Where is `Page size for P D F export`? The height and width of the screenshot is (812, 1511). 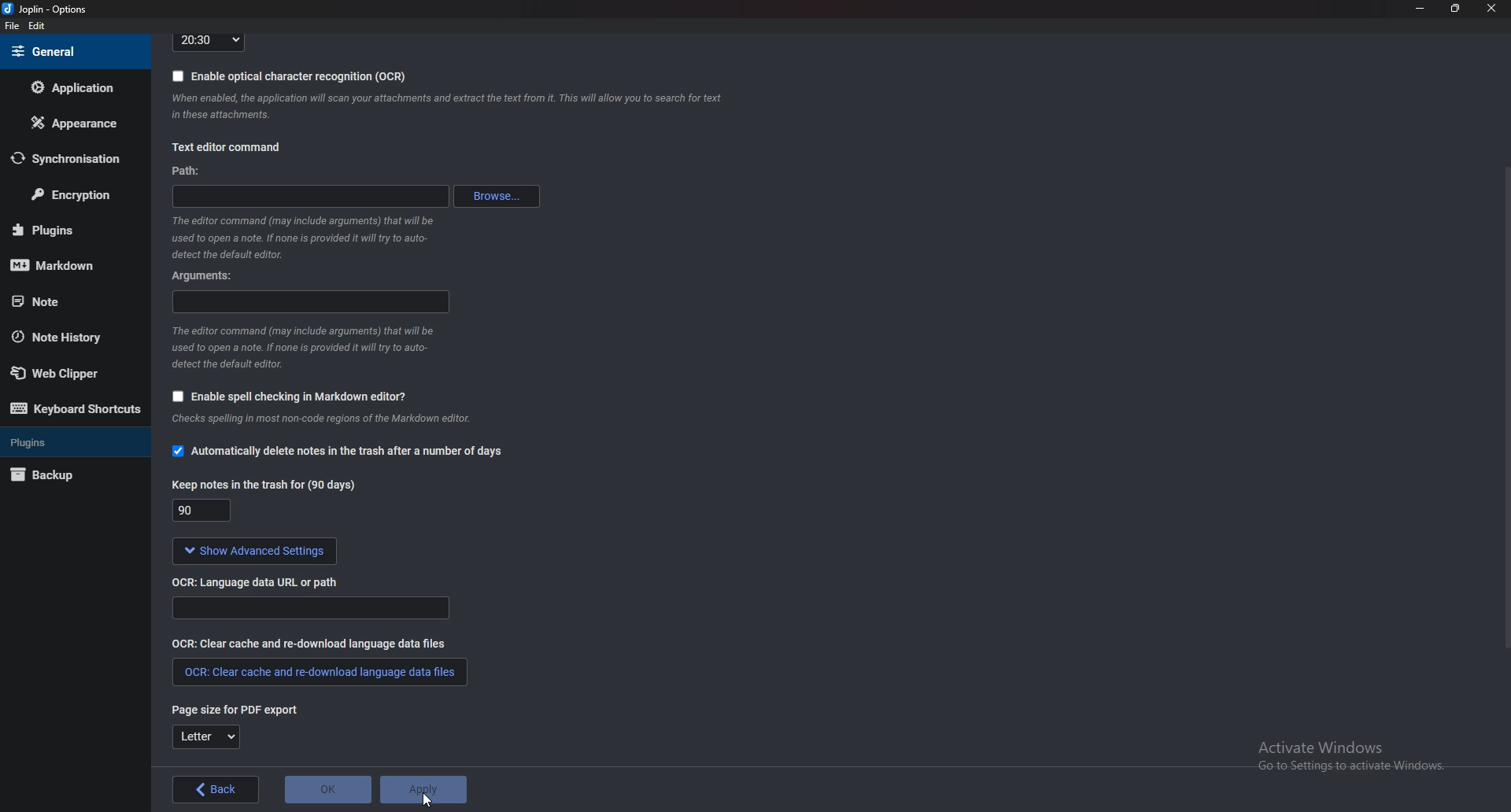 Page size for P D F export is located at coordinates (227, 709).